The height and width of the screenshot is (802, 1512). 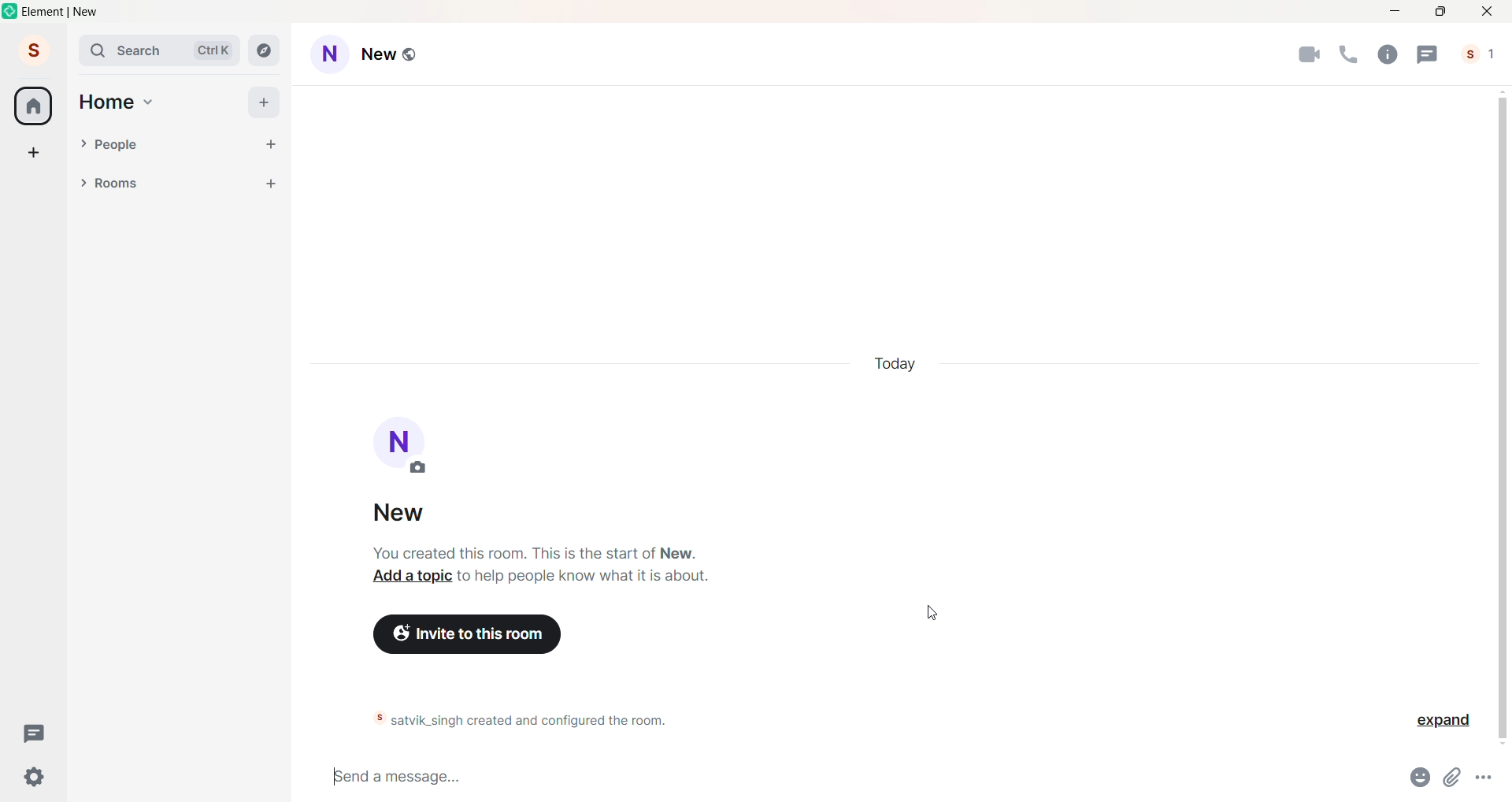 I want to click on Add, so click(x=263, y=102).